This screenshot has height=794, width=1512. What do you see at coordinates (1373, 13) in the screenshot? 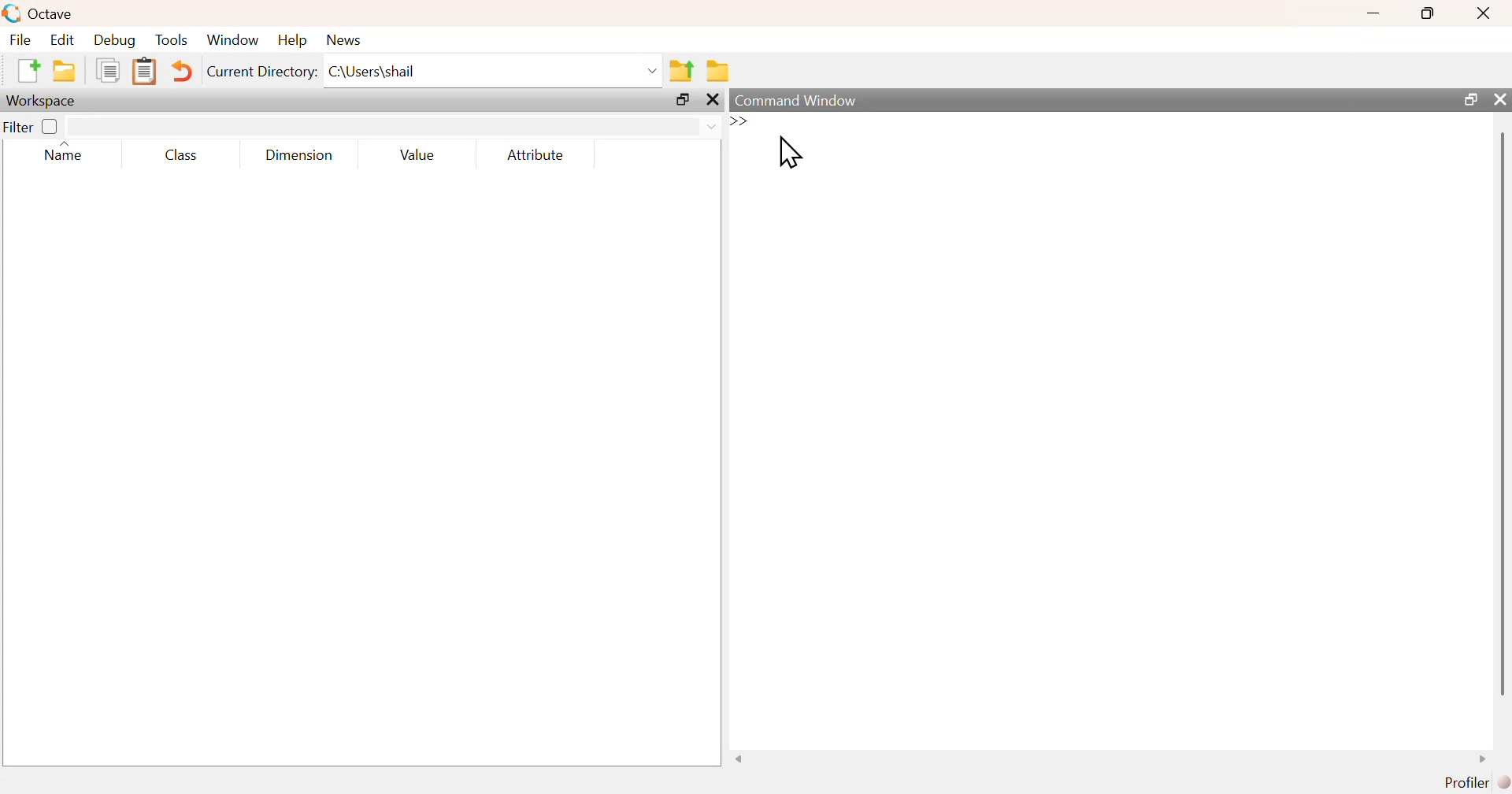
I see `minimize` at bounding box center [1373, 13].